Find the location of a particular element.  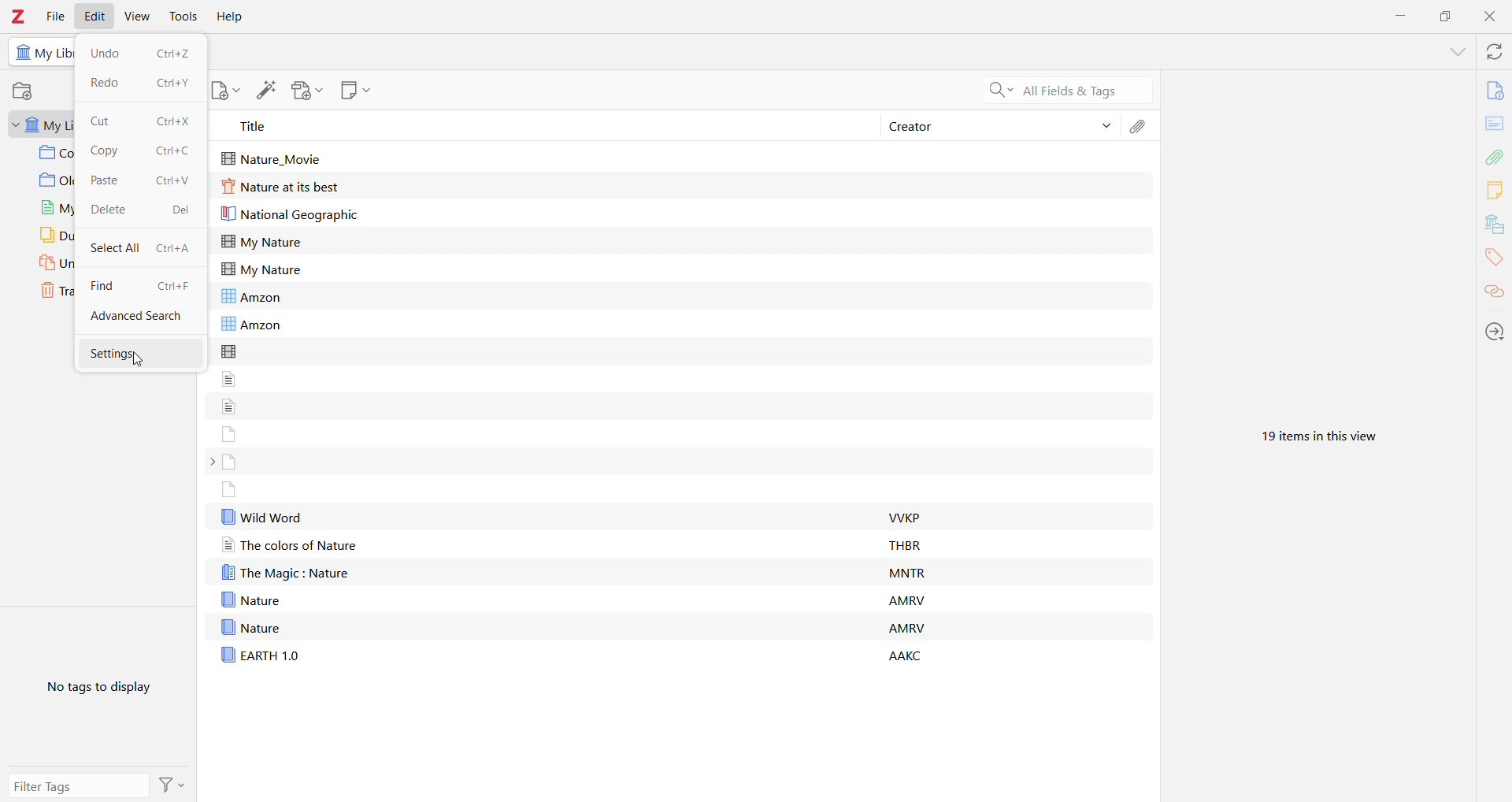

Cut is located at coordinates (99, 121).